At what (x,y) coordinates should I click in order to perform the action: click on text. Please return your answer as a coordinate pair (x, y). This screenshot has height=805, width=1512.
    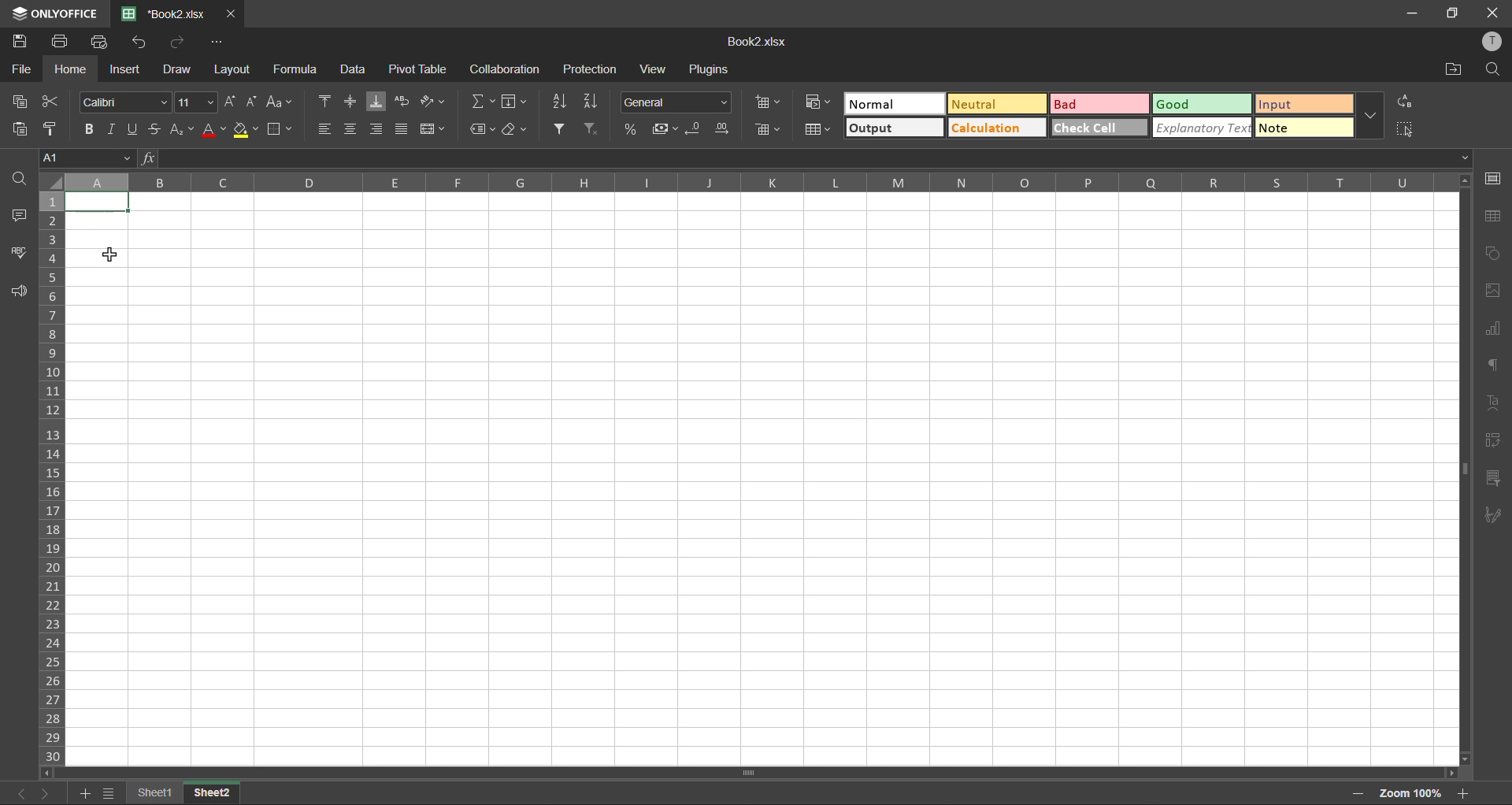
    Looking at the image, I should click on (1492, 402).